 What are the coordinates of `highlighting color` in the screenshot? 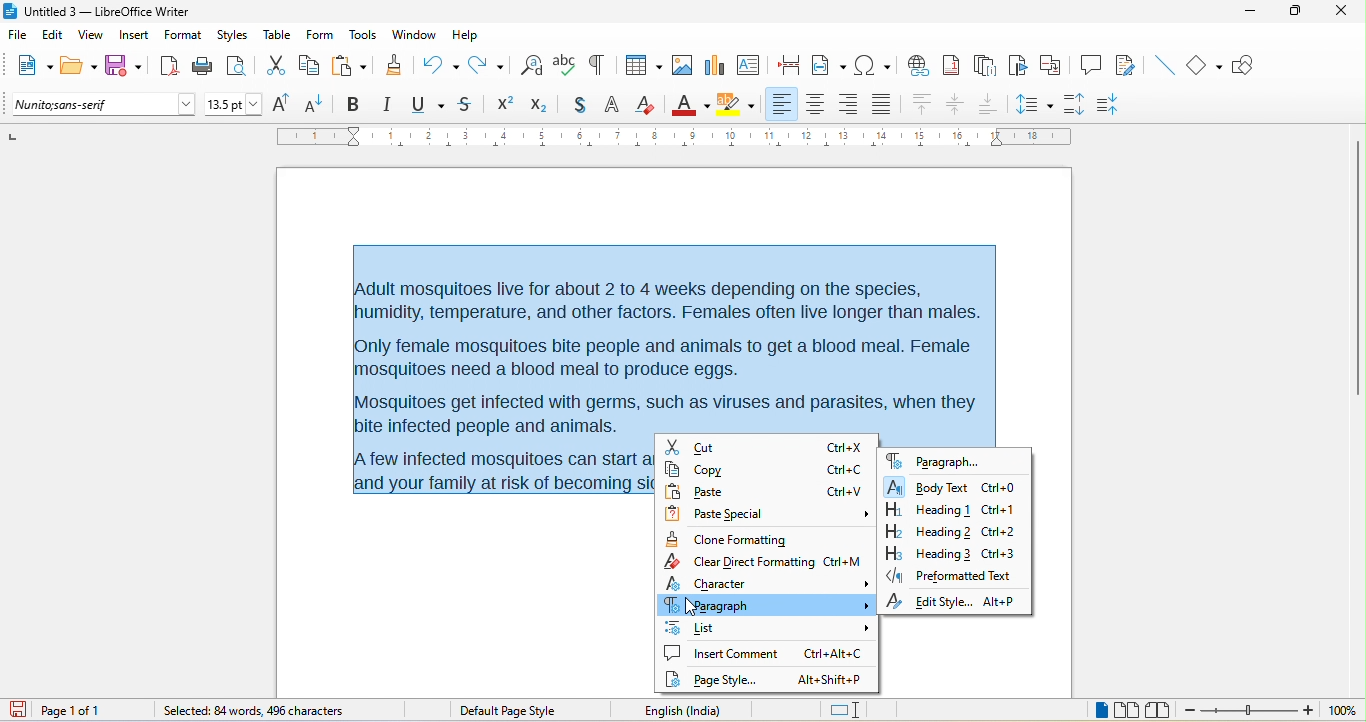 It's located at (736, 105).